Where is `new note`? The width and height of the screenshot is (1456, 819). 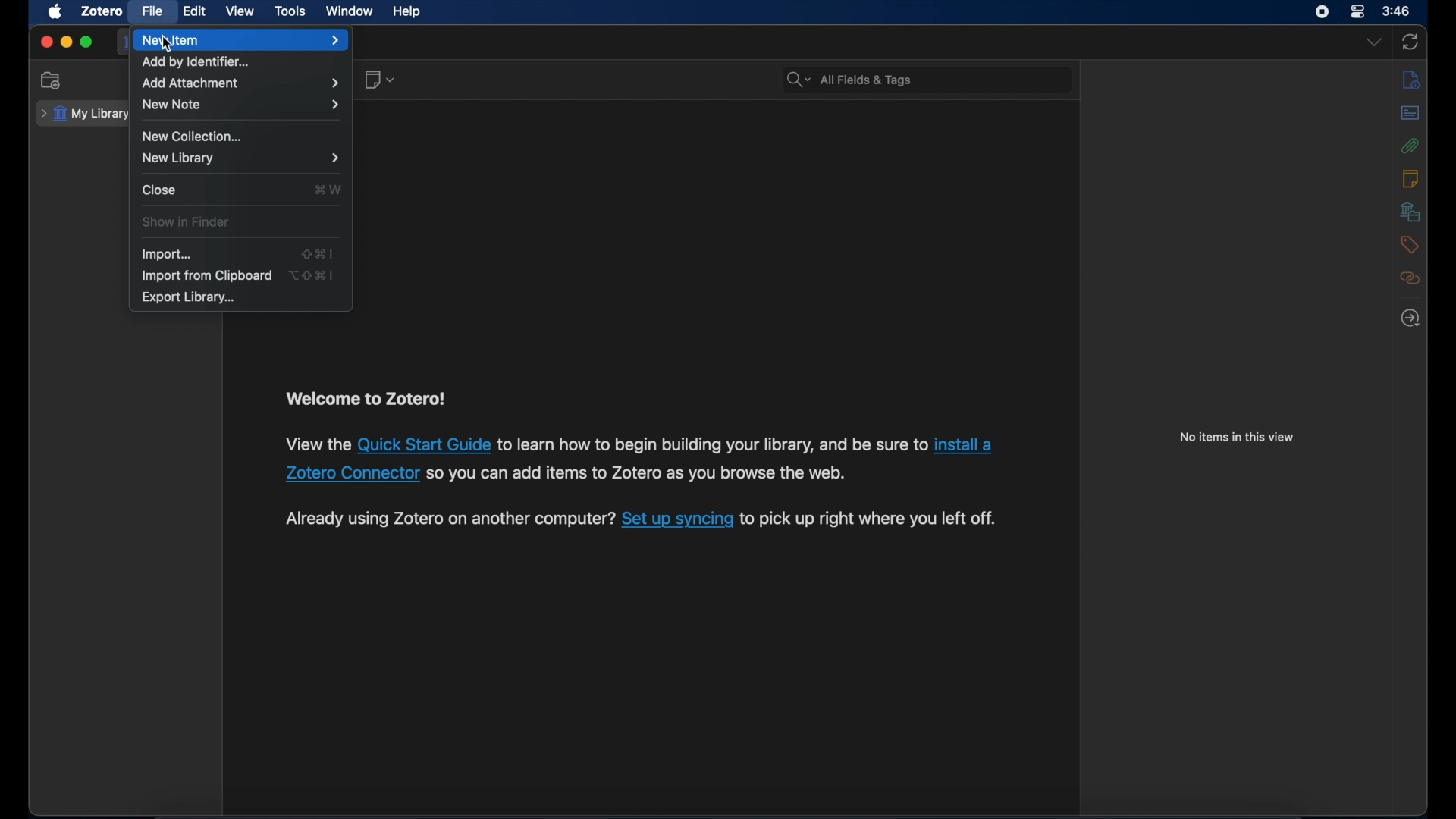 new note is located at coordinates (242, 104).